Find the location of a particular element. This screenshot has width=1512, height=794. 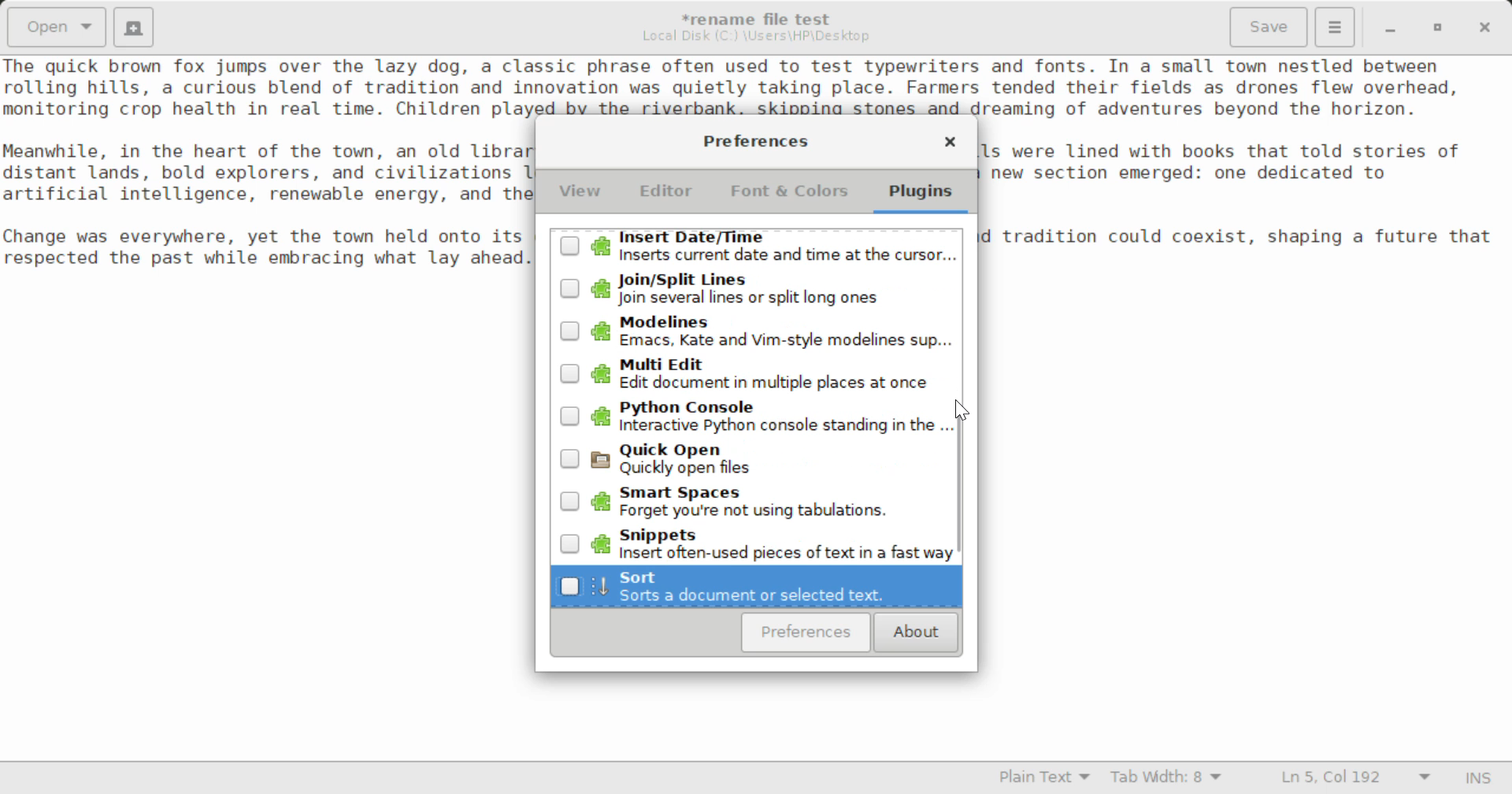

Tab Width  is located at coordinates (1169, 779).